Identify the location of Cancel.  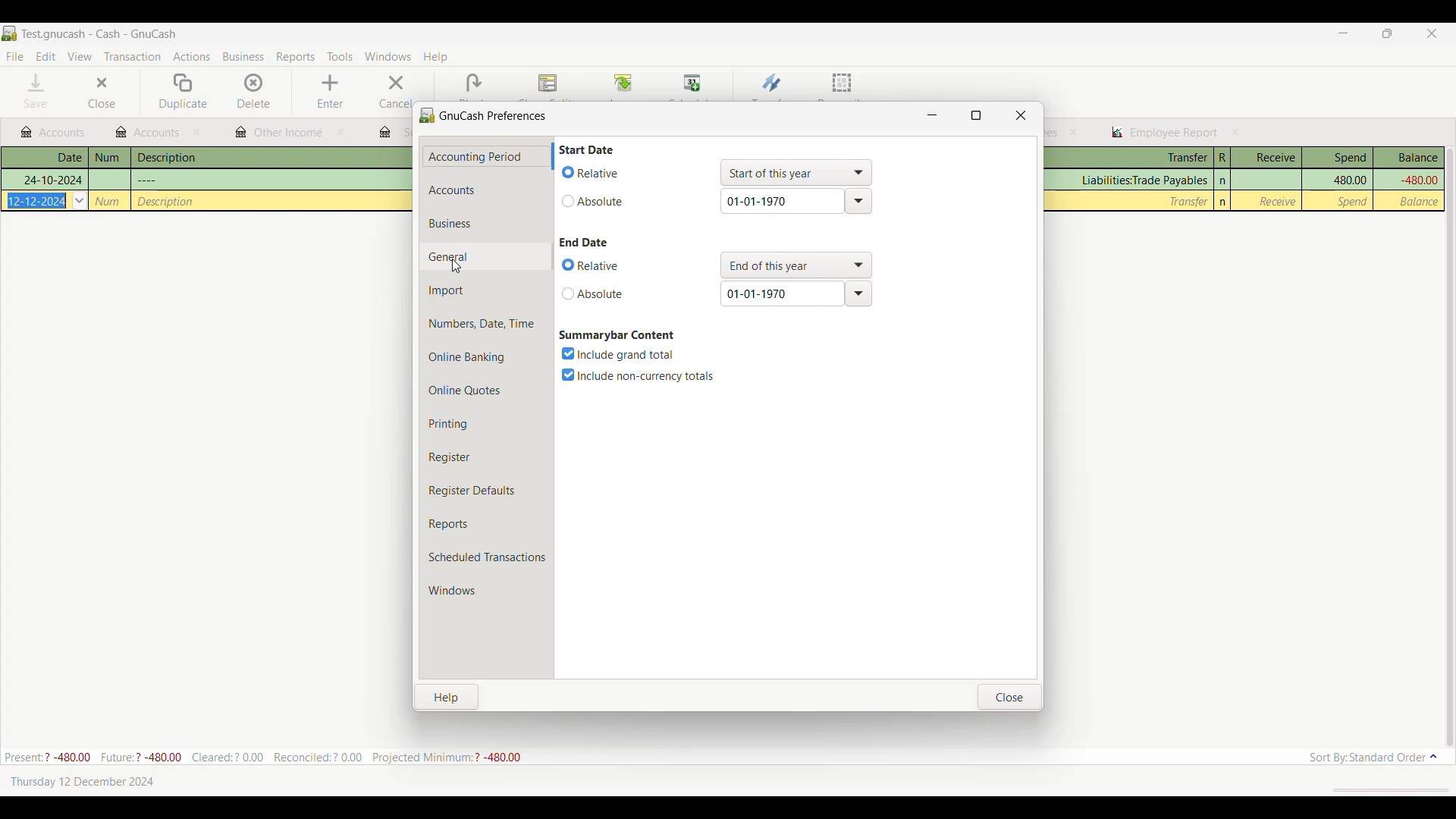
(394, 91).